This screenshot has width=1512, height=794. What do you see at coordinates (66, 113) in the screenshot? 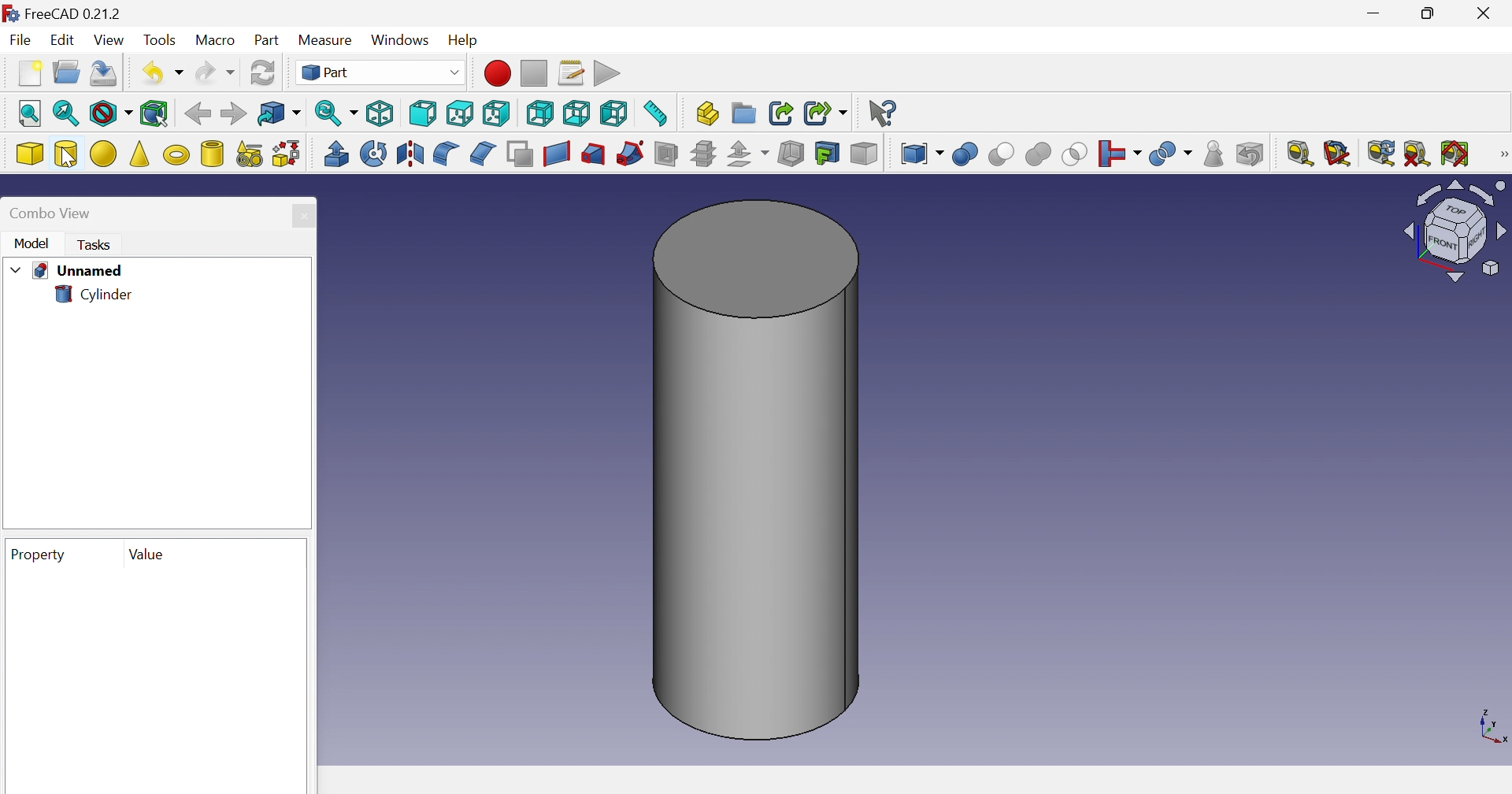
I see `Fit selection` at bounding box center [66, 113].